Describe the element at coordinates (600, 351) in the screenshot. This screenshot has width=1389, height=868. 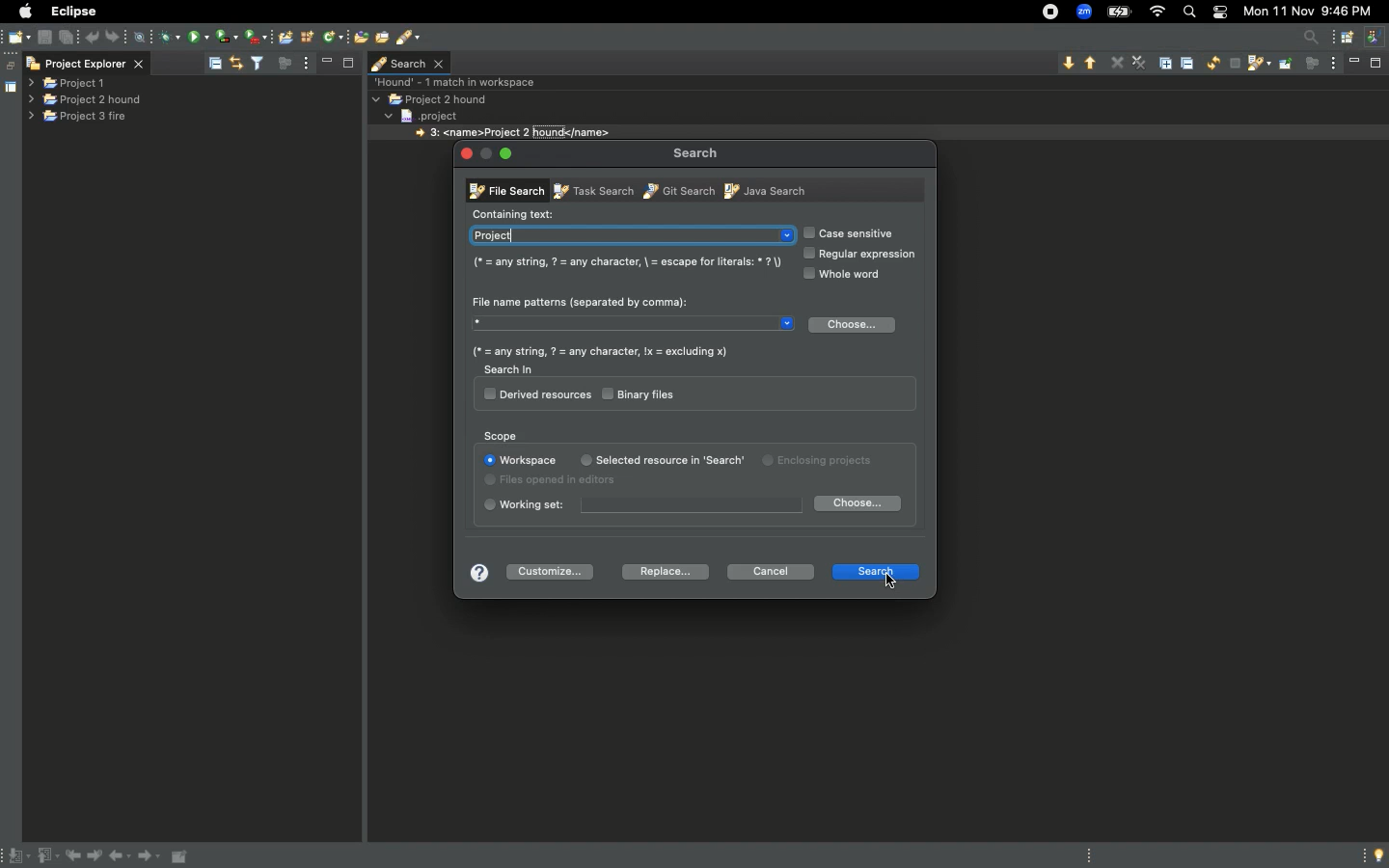
I see `(* = any string, ? = any character, Ix = excluding x)` at that location.